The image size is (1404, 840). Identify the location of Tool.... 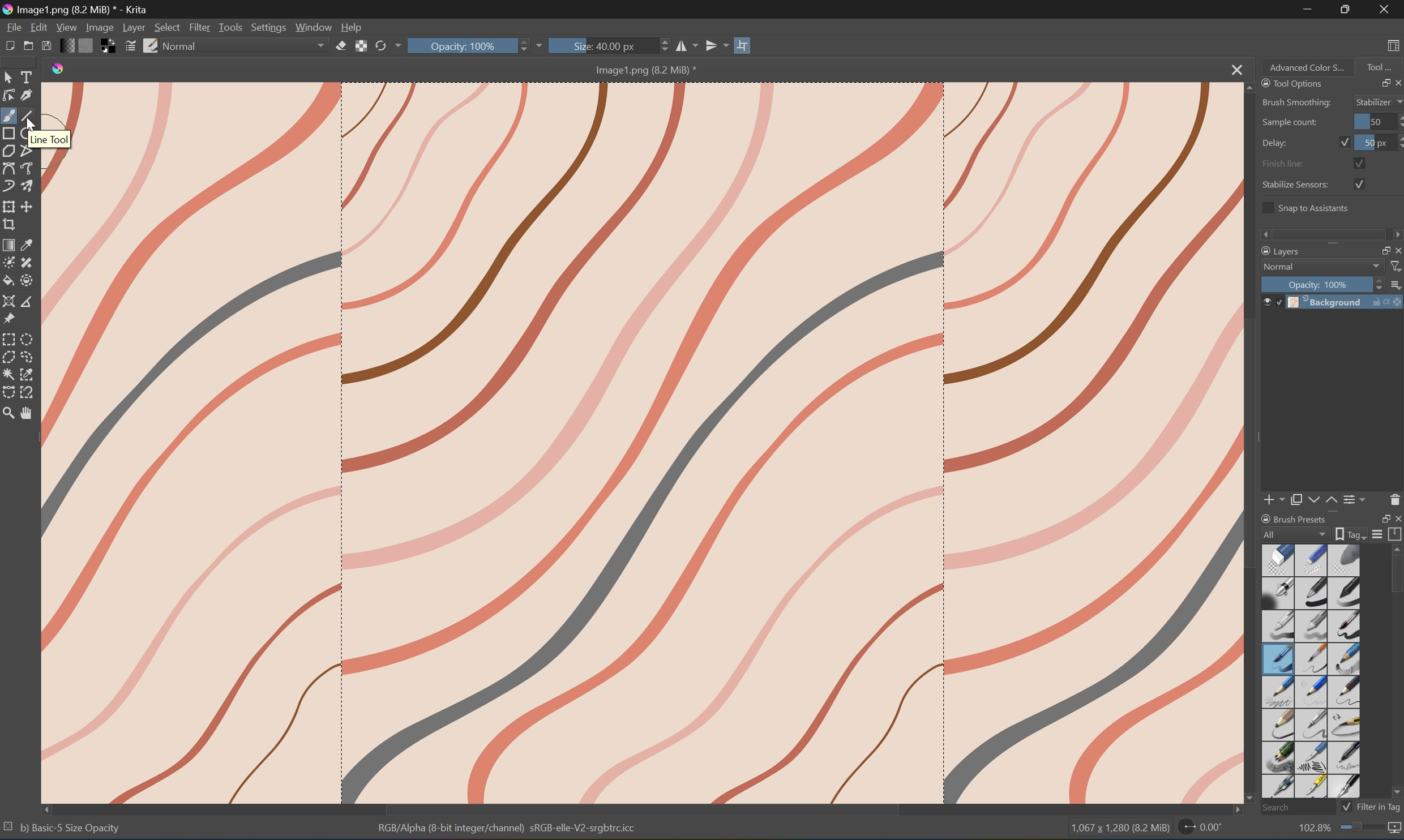
(1381, 66).